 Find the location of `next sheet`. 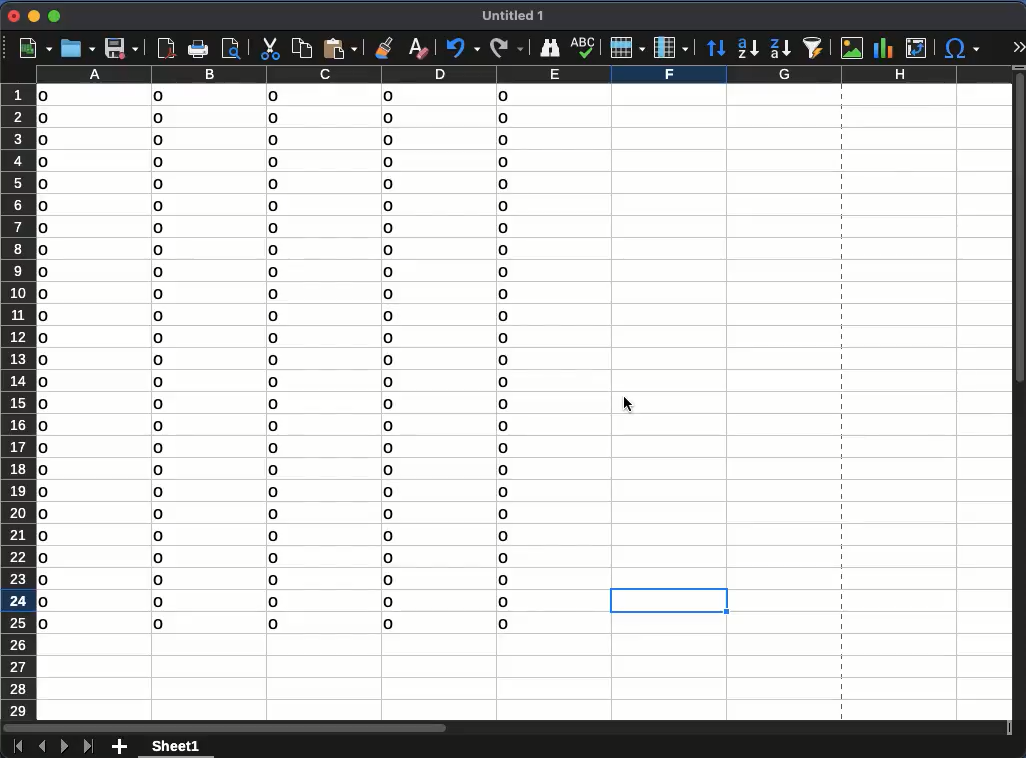

next sheet is located at coordinates (62, 747).